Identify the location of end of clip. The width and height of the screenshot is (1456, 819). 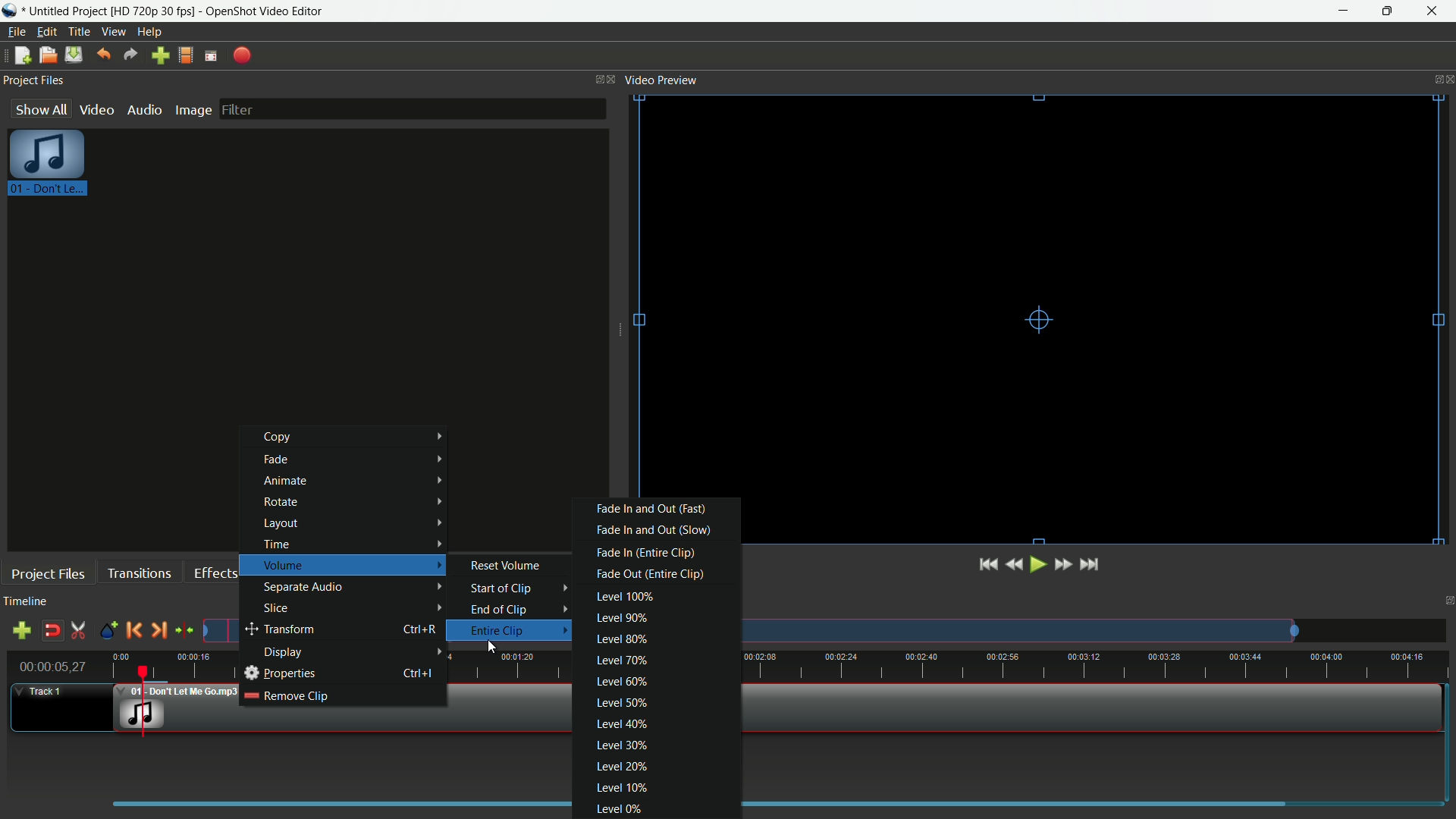
(519, 610).